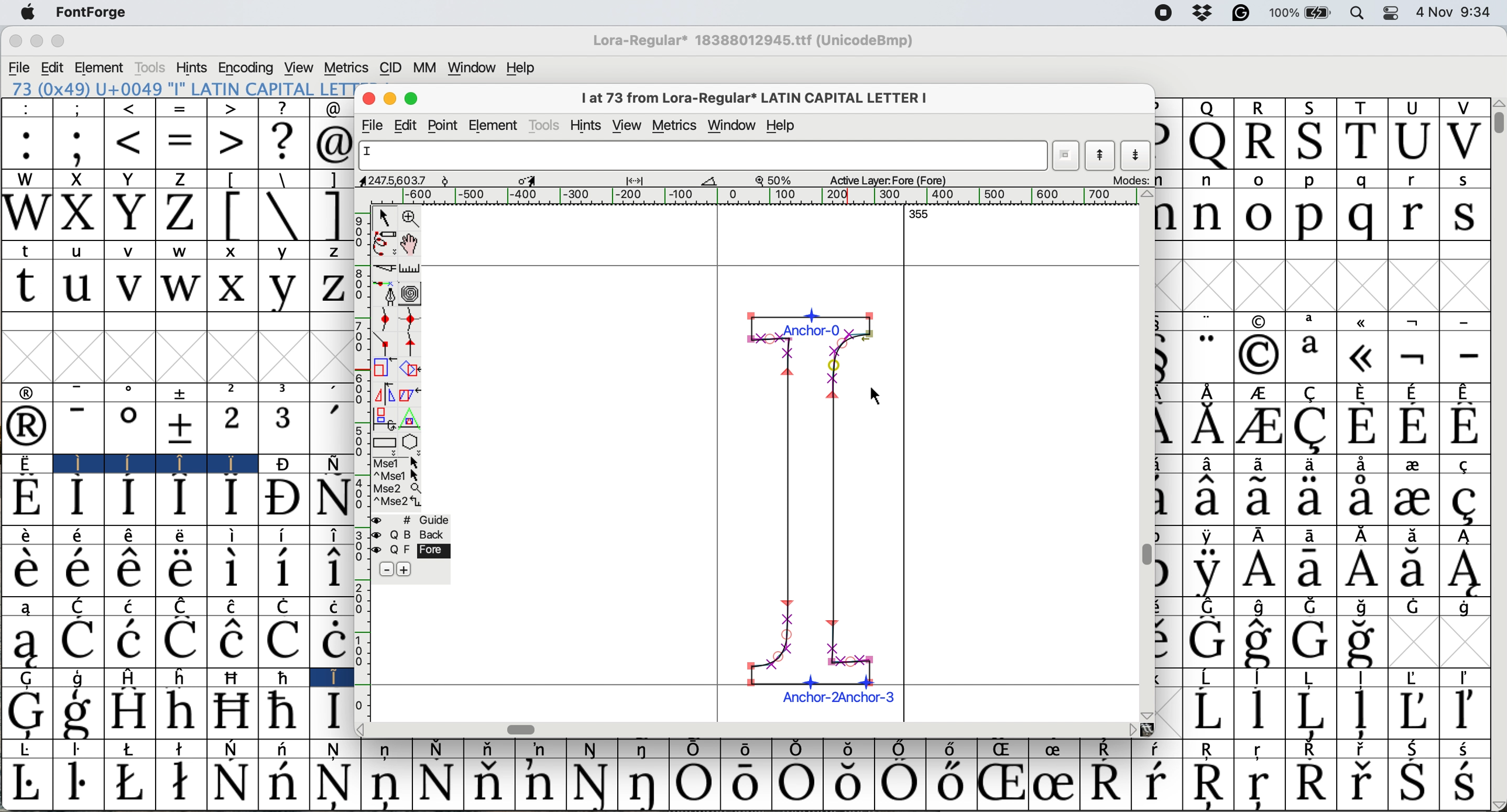 Image resolution: width=1507 pixels, height=812 pixels. What do you see at coordinates (420, 534) in the screenshot?
I see `back` at bounding box center [420, 534].